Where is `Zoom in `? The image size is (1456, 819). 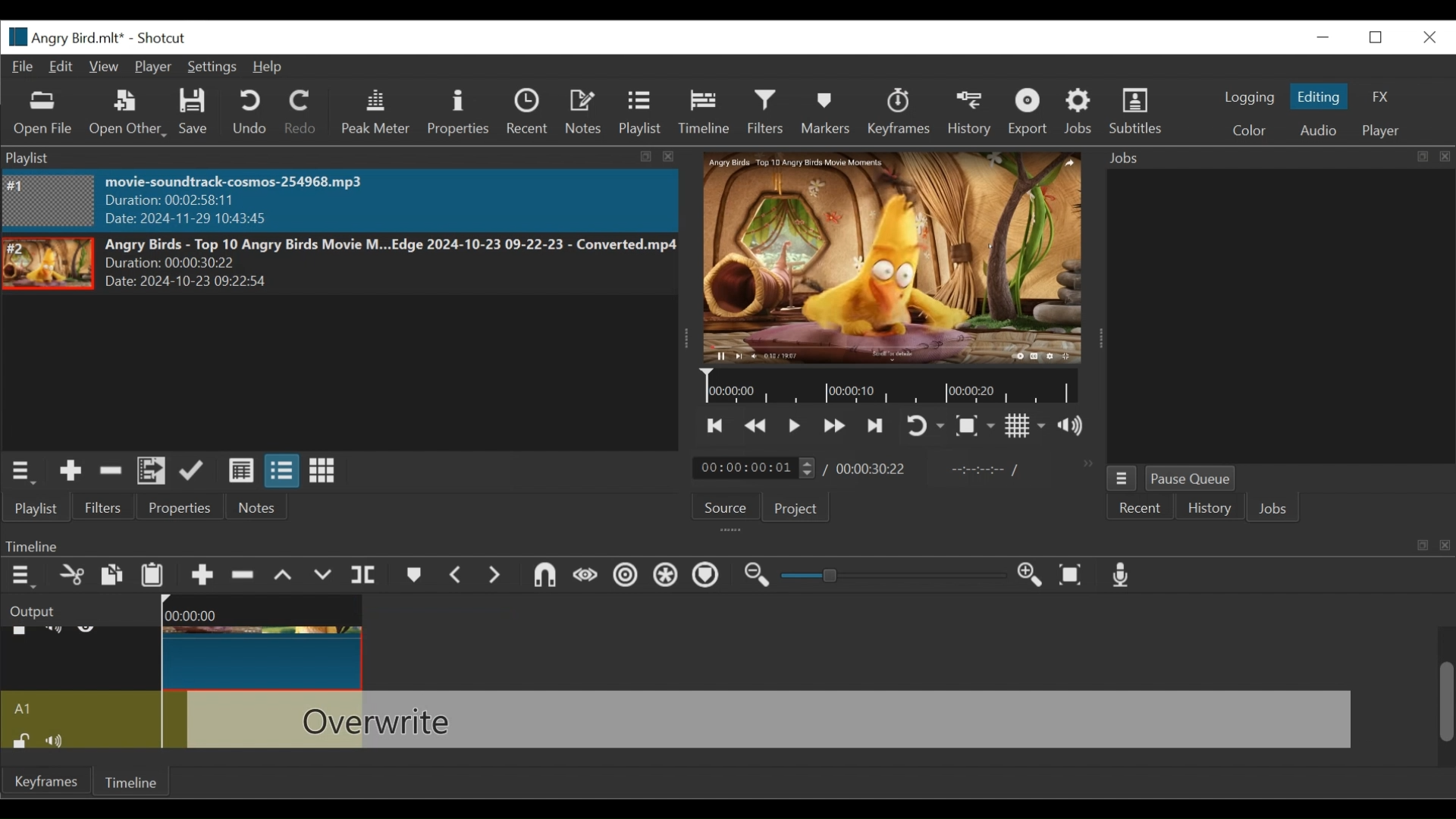
Zoom in  is located at coordinates (1035, 576).